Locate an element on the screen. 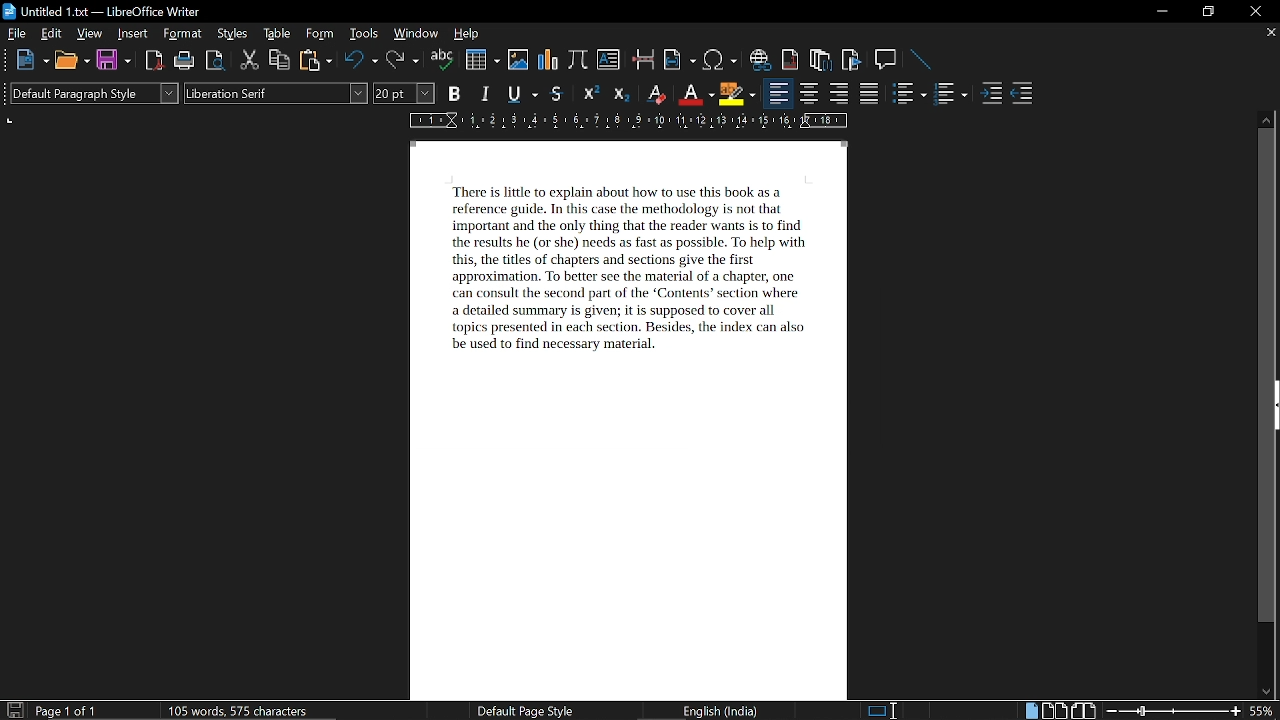 The image size is (1280, 720). copy is located at coordinates (279, 61).